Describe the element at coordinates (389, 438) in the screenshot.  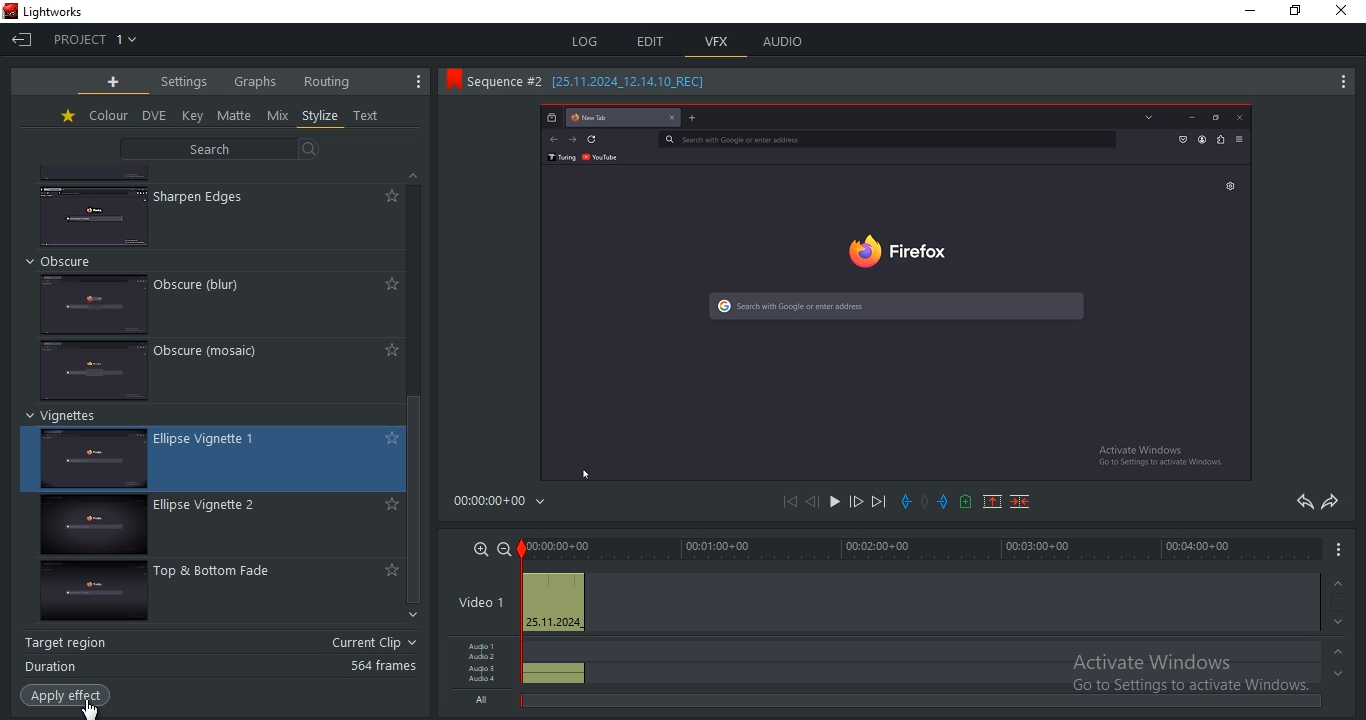
I see `Add to favorites` at that location.